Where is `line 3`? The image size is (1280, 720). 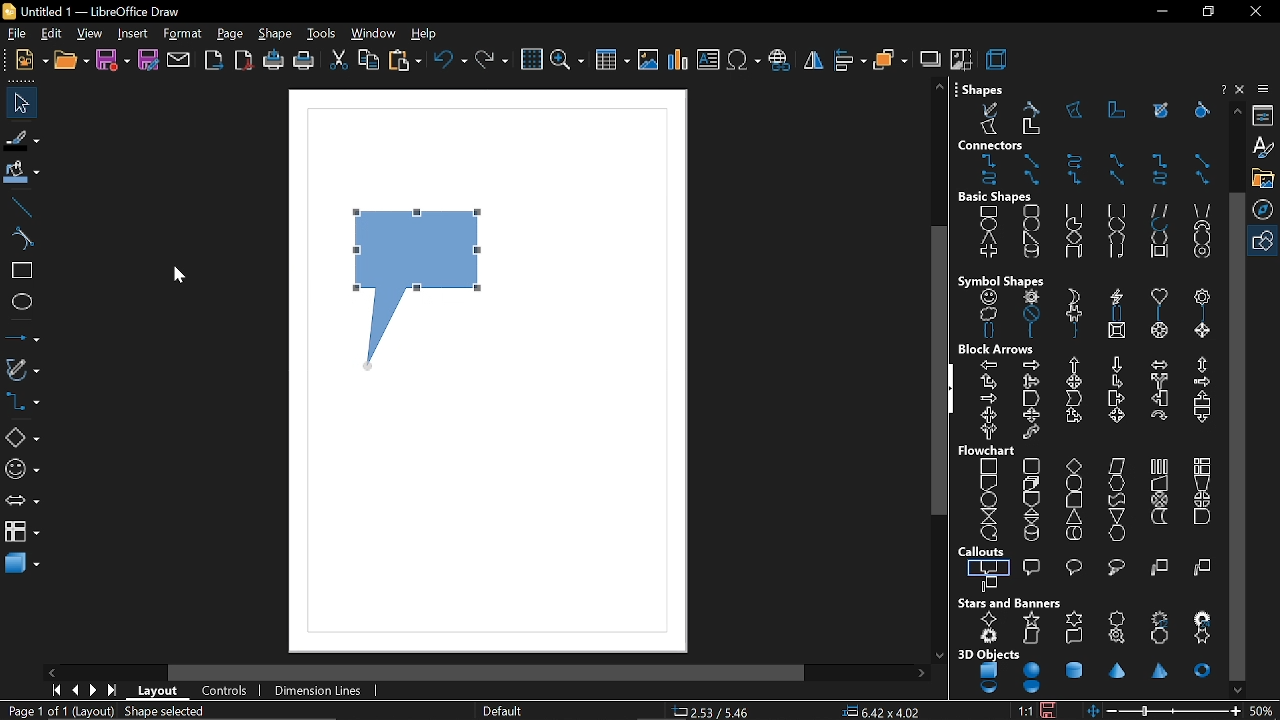
line 3 is located at coordinates (990, 583).